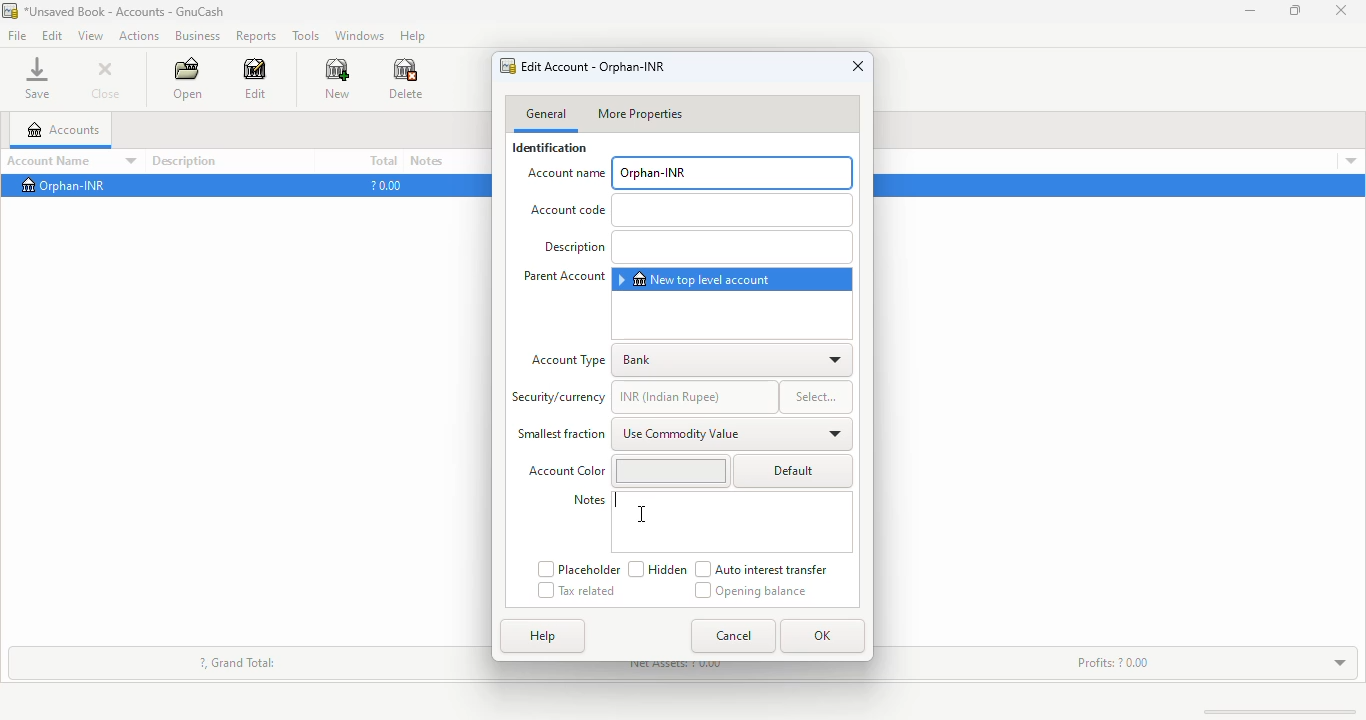  I want to click on parents account, so click(565, 276).